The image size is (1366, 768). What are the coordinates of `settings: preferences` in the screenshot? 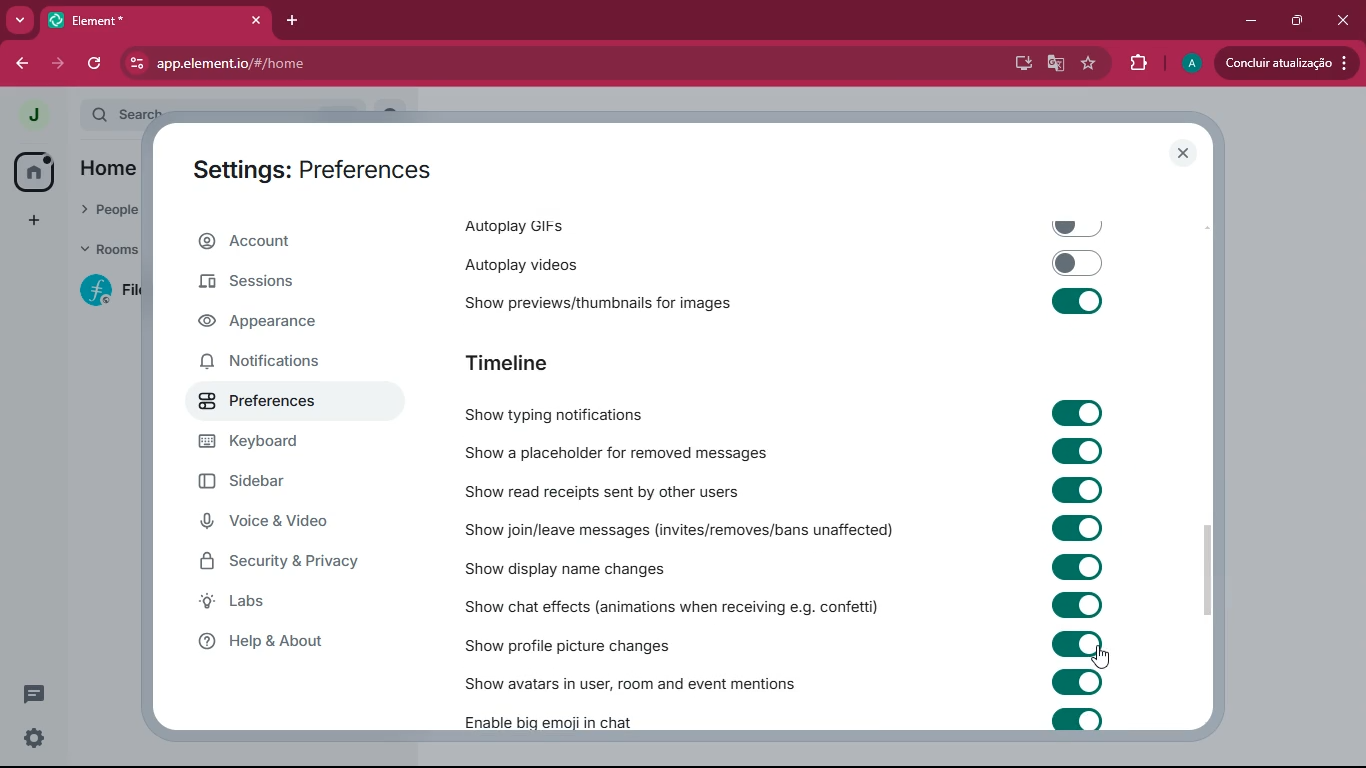 It's located at (304, 171).